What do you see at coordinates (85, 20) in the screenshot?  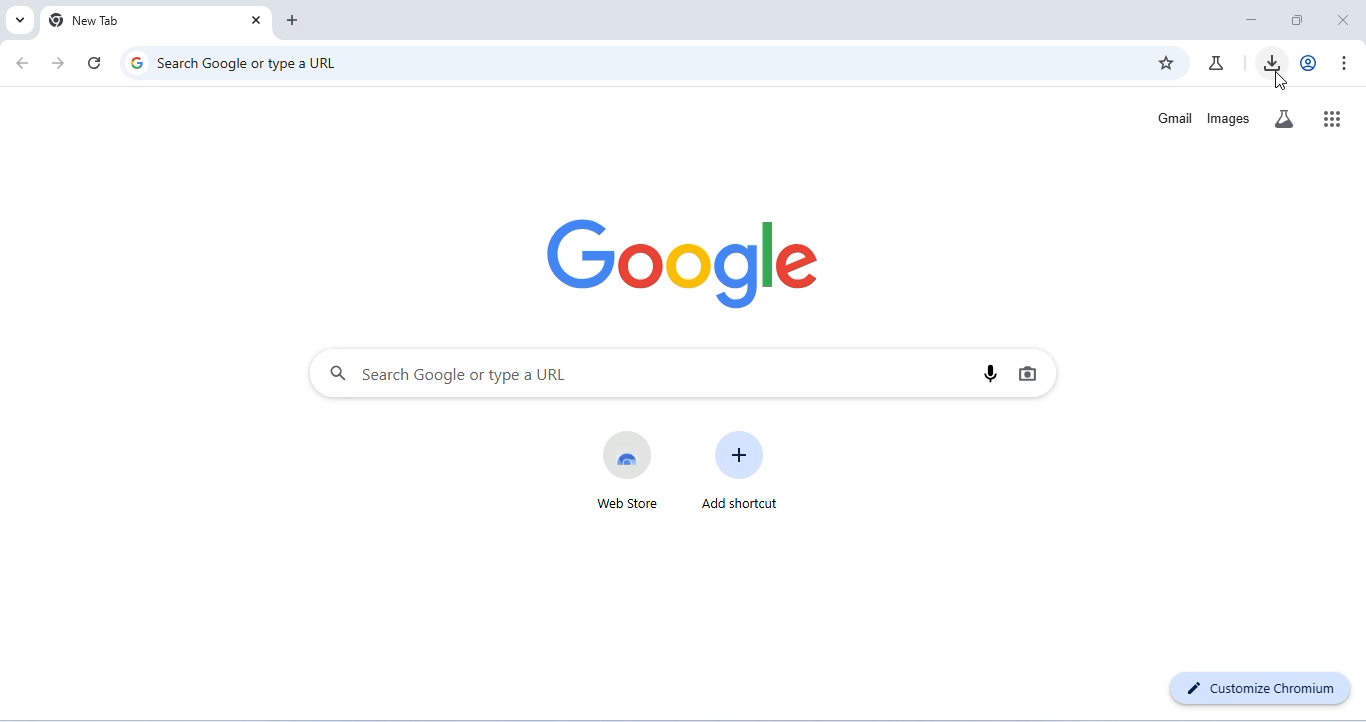 I see `new tab` at bounding box center [85, 20].